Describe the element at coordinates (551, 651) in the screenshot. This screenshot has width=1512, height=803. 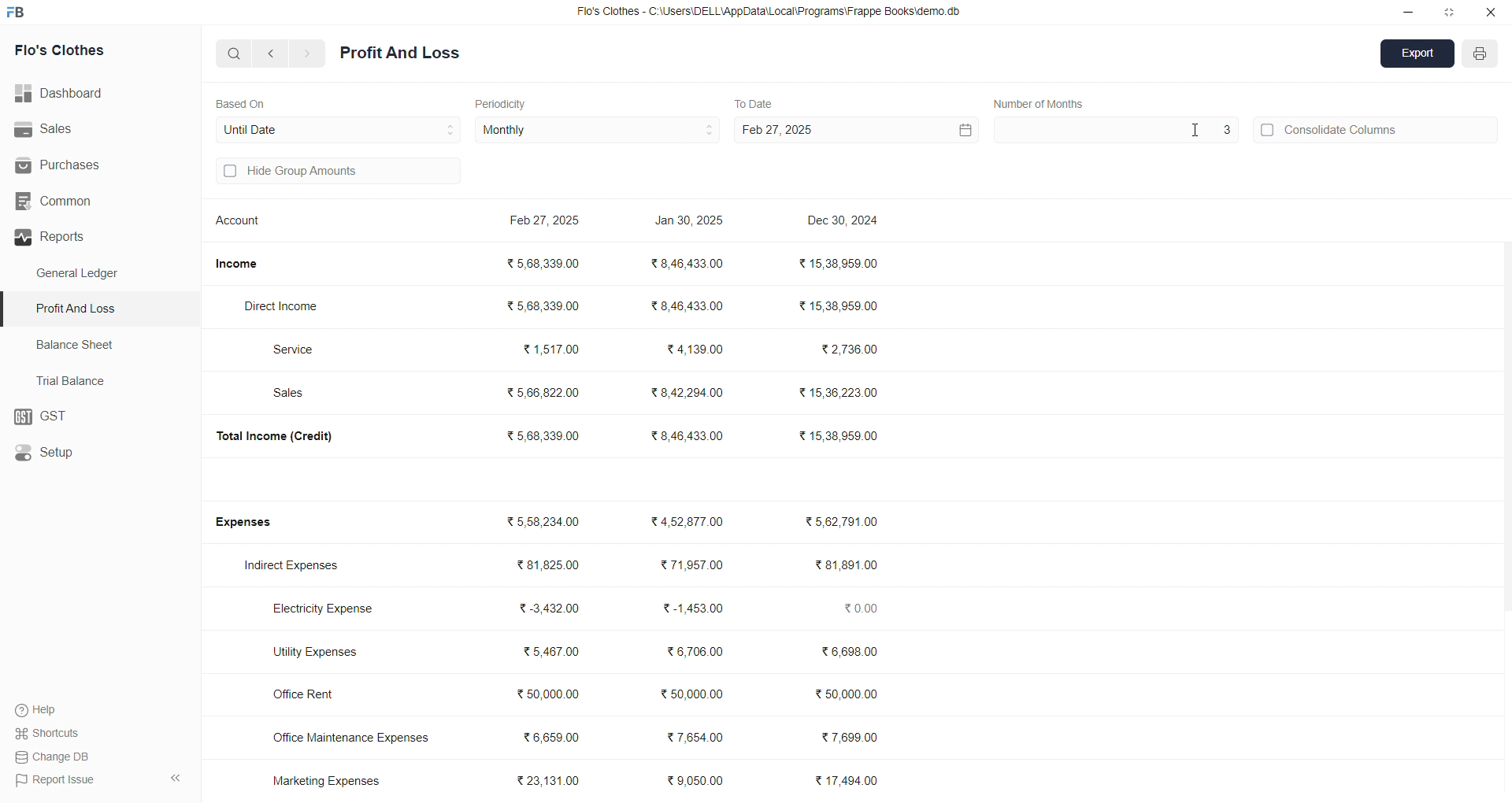
I see `₹5,467.00` at that location.